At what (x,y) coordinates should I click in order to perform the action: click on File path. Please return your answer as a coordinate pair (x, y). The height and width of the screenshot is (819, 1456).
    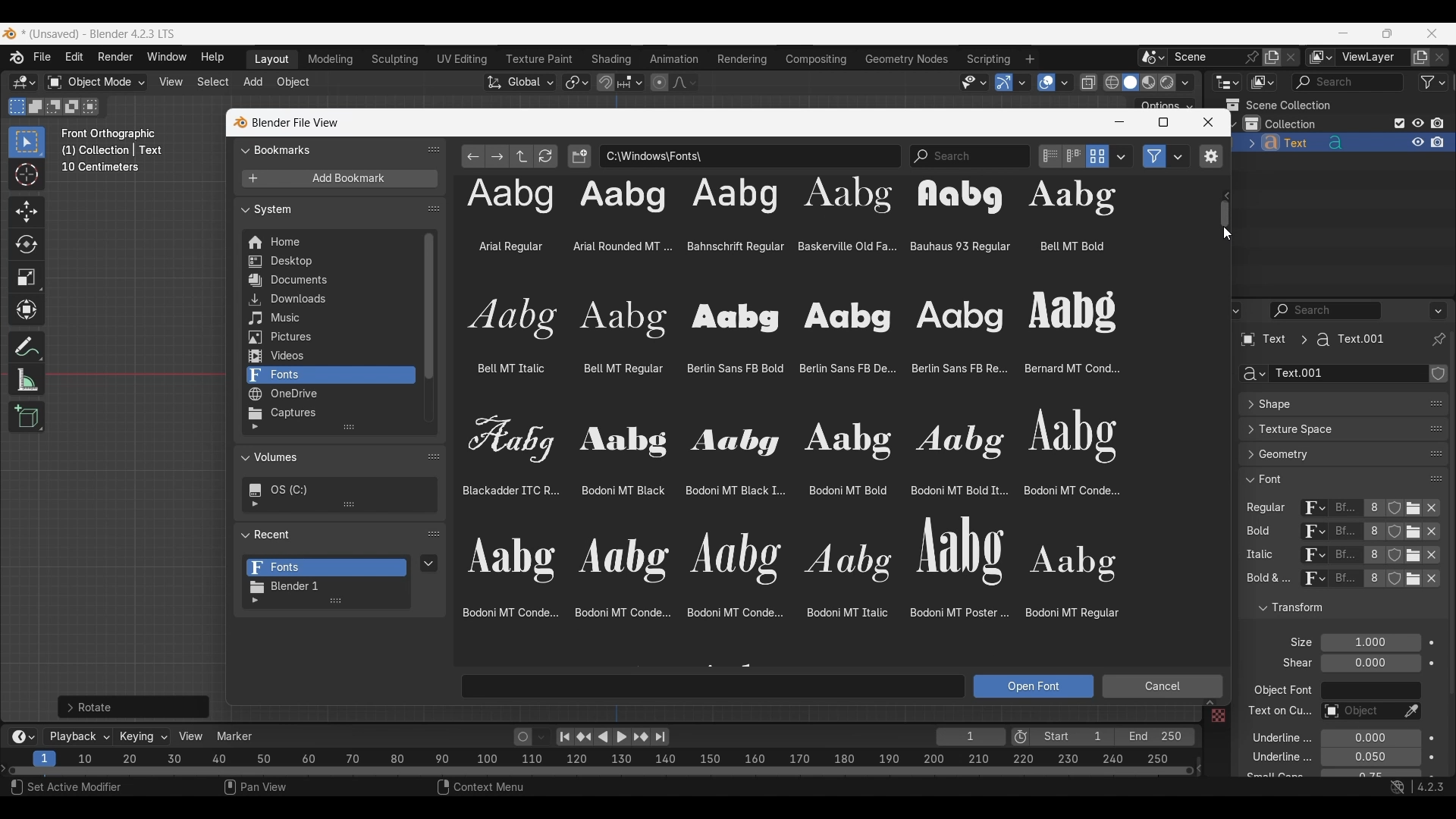
    Looking at the image, I should click on (750, 155).